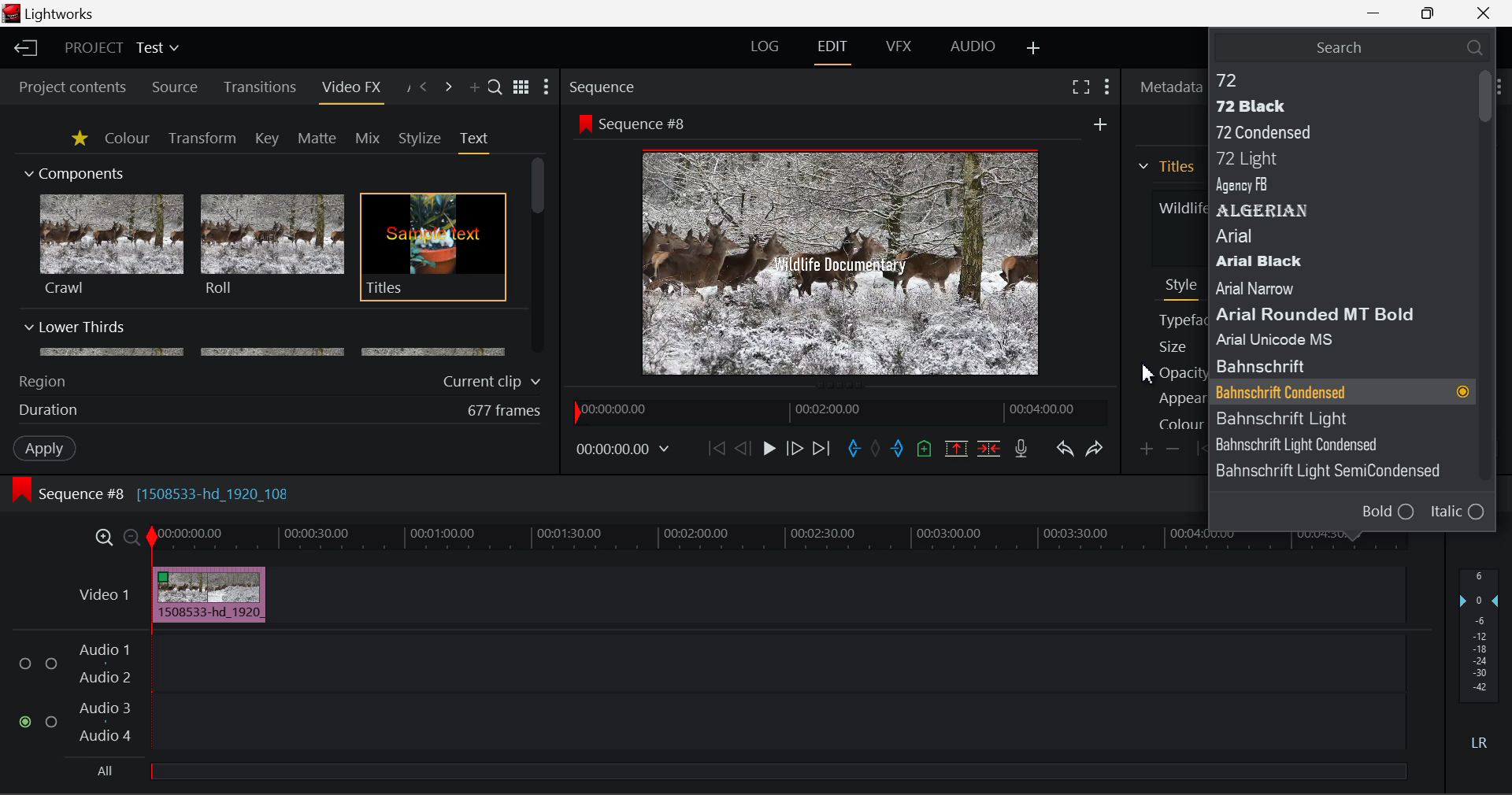 This screenshot has height=795, width=1512. What do you see at coordinates (505, 412) in the screenshot?
I see `677 frames` at bounding box center [505, 412].